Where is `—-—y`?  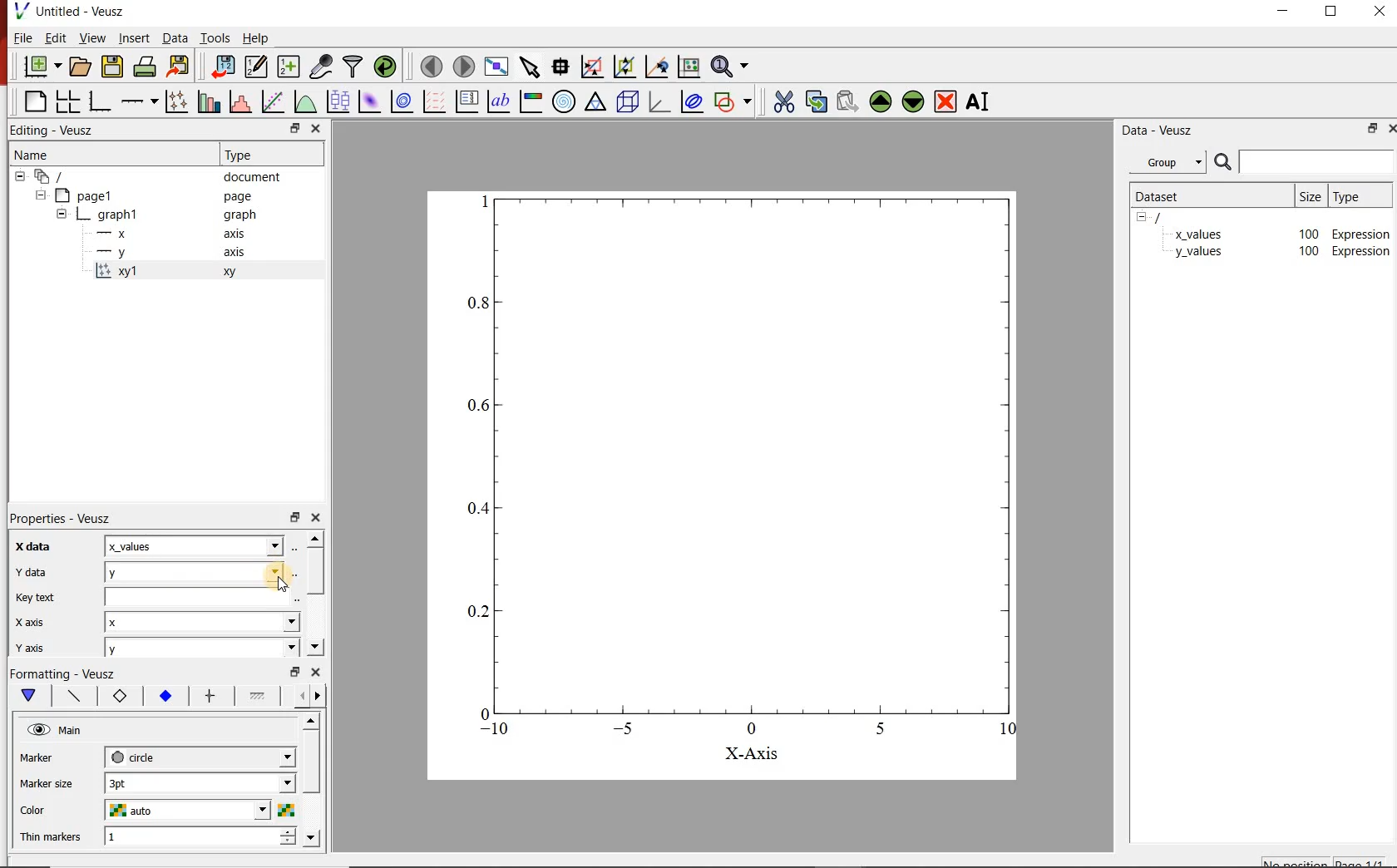 —-—y is located at coordinates (111, 253).